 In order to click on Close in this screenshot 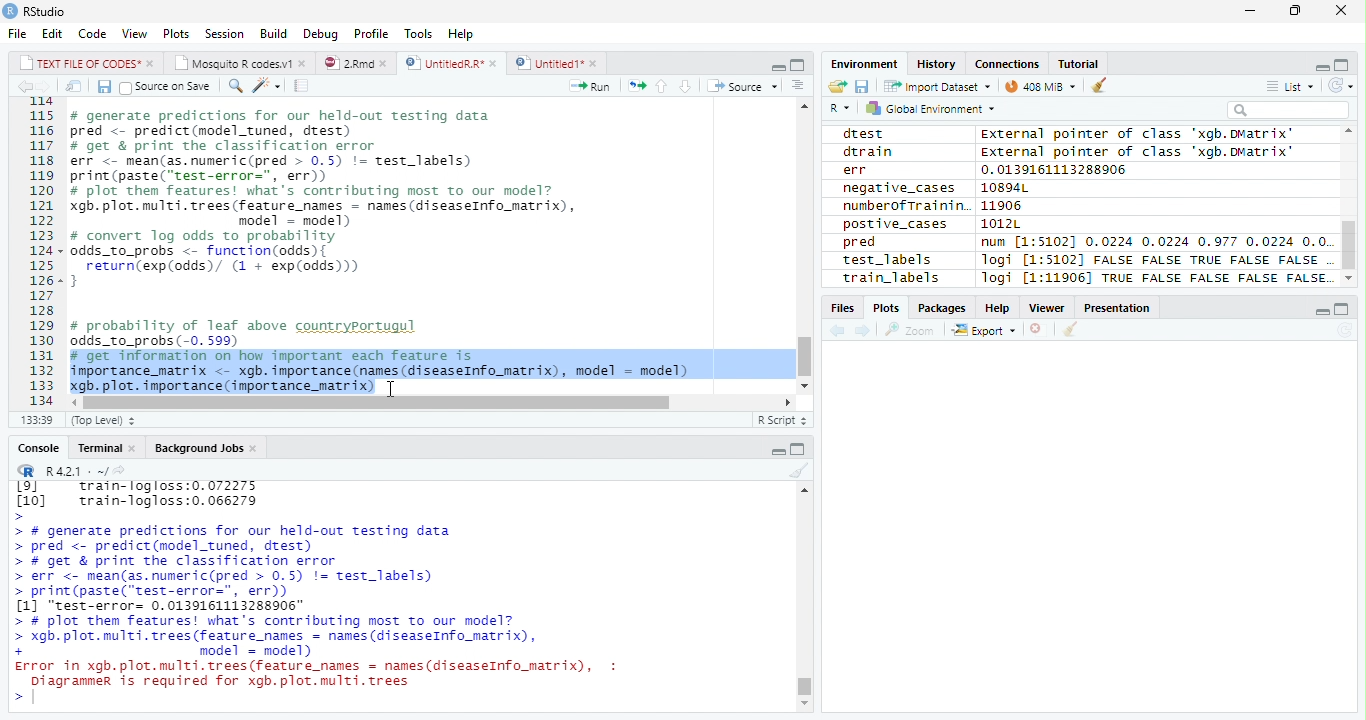, I will do `click(1340, 11)`.